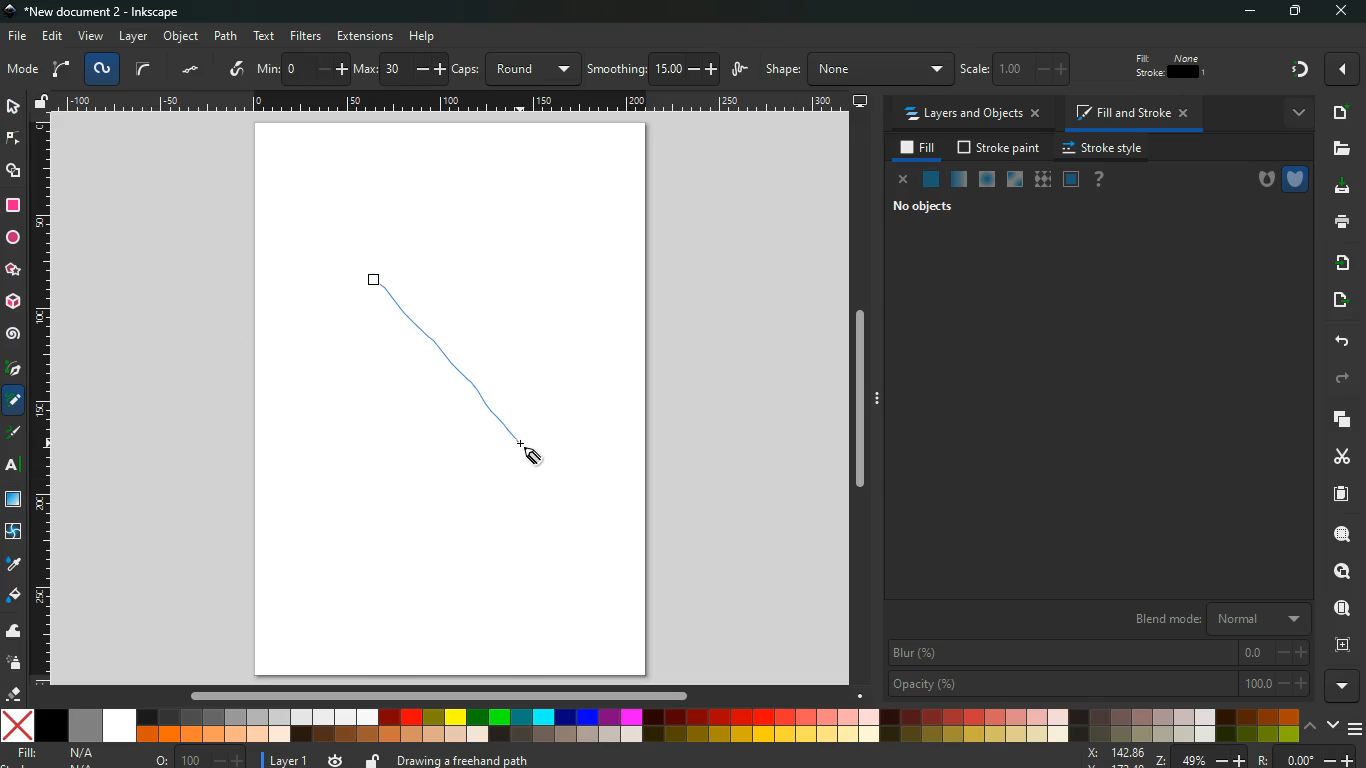 Image resolution: width=1366 pixels, height=768 pixels. Describe the element at coordinates (515, 69) in the screenshot. I see `caps` at that location.